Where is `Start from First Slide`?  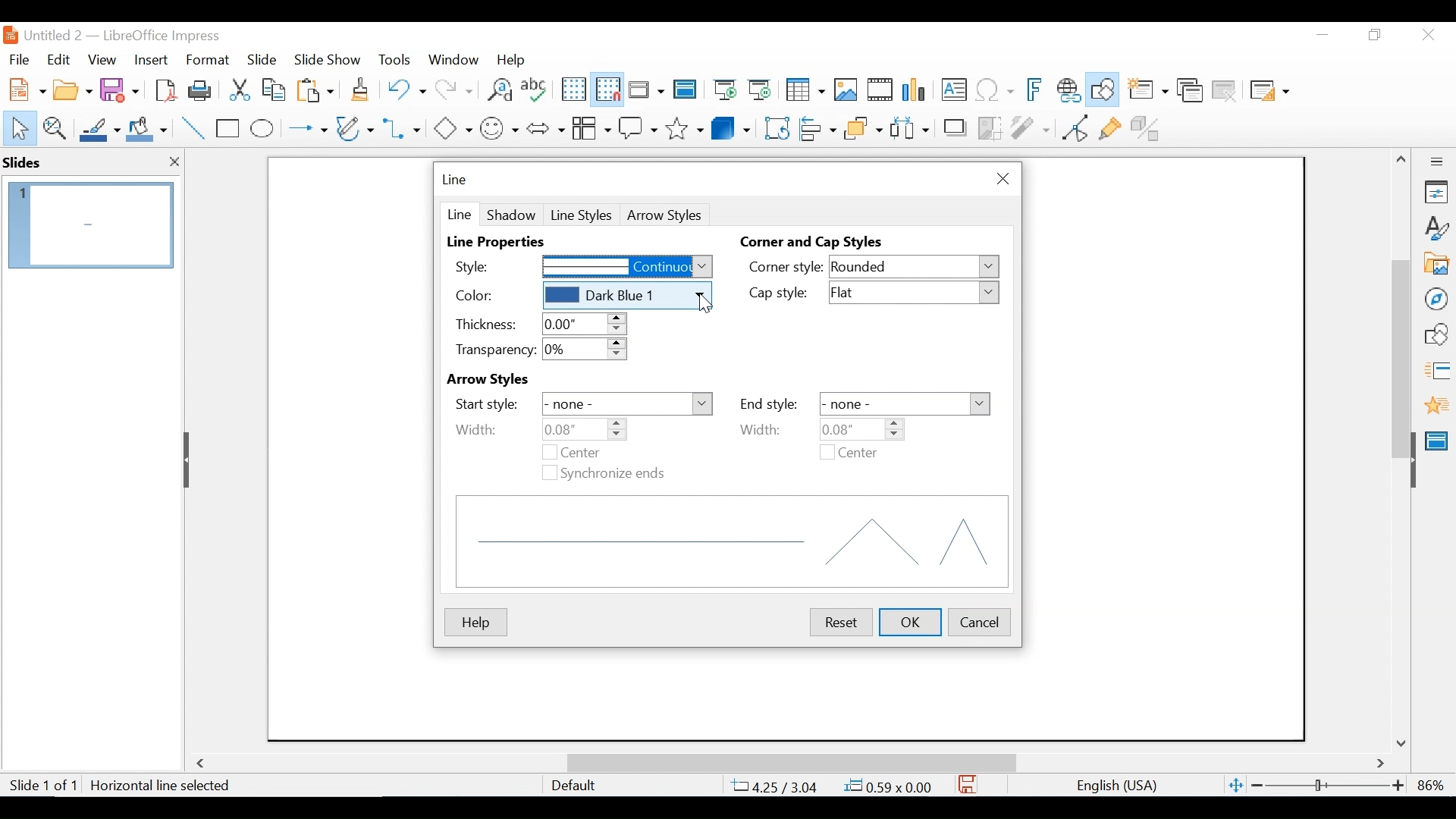 Start from First Slide is located at coordinates (723, 91).